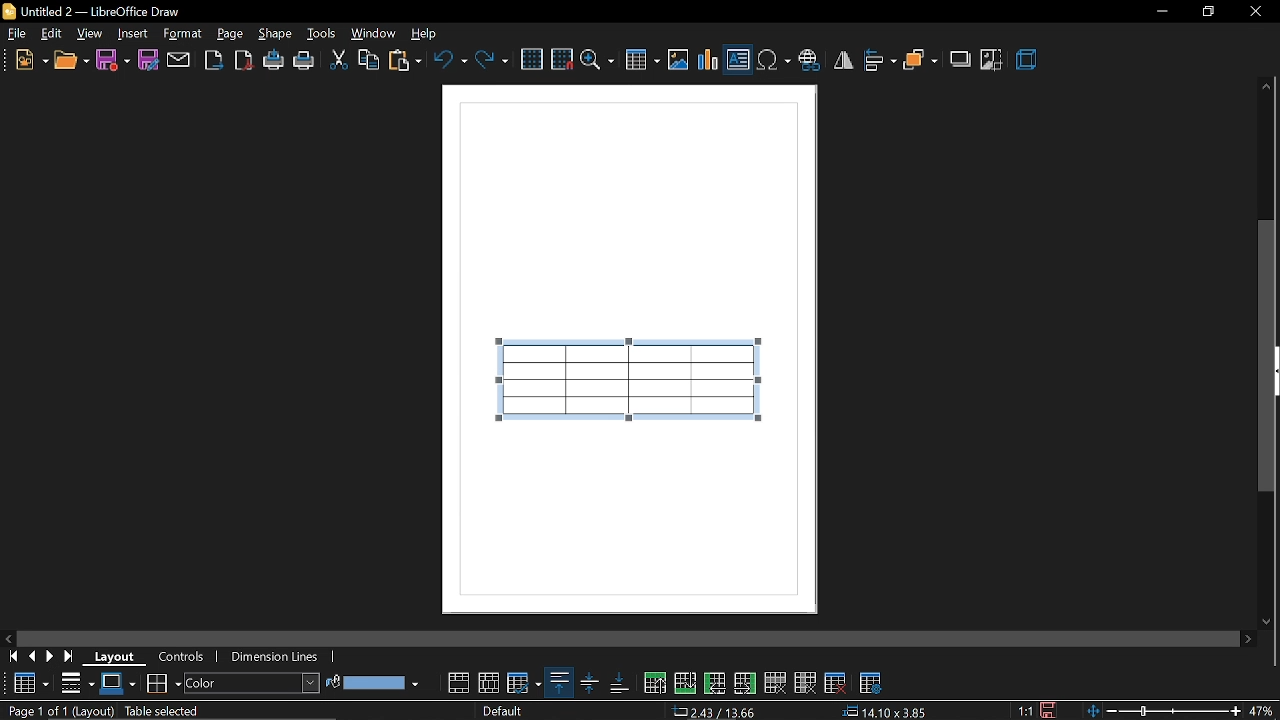 The height and width of the screenshot is (720, 1280). Describe the element at coordinates (1265, 711) in the screenshot. I see `47%` at that location.